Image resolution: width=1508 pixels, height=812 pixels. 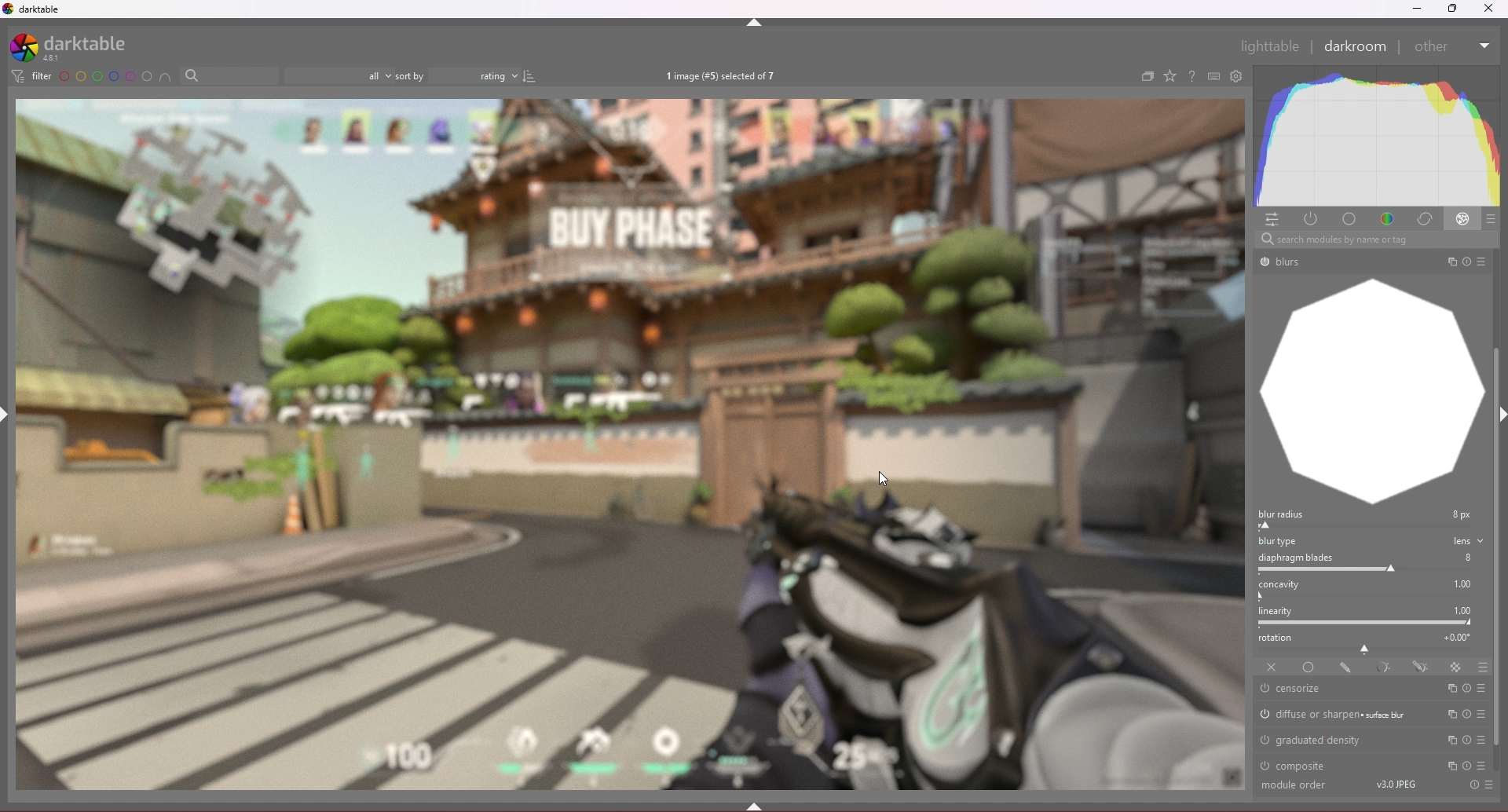 I want to click on open global preference, so click(x=1237, y=77).